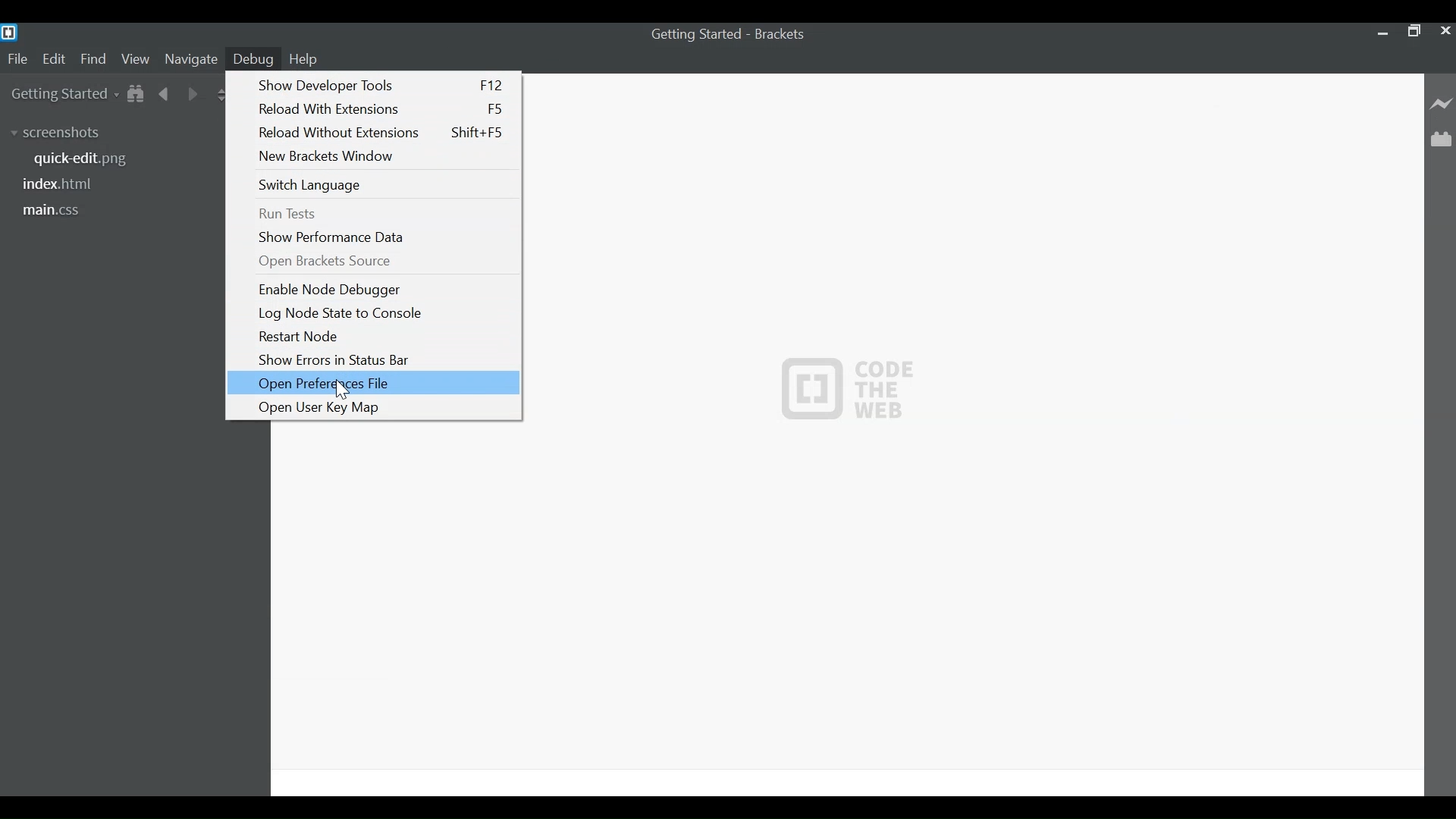 This screenshot has height=819, width=1456. What do you see at coordinates (381, 86) in the screenshot?
I see `Show Developer Tools` at bounding box center [381, 86].